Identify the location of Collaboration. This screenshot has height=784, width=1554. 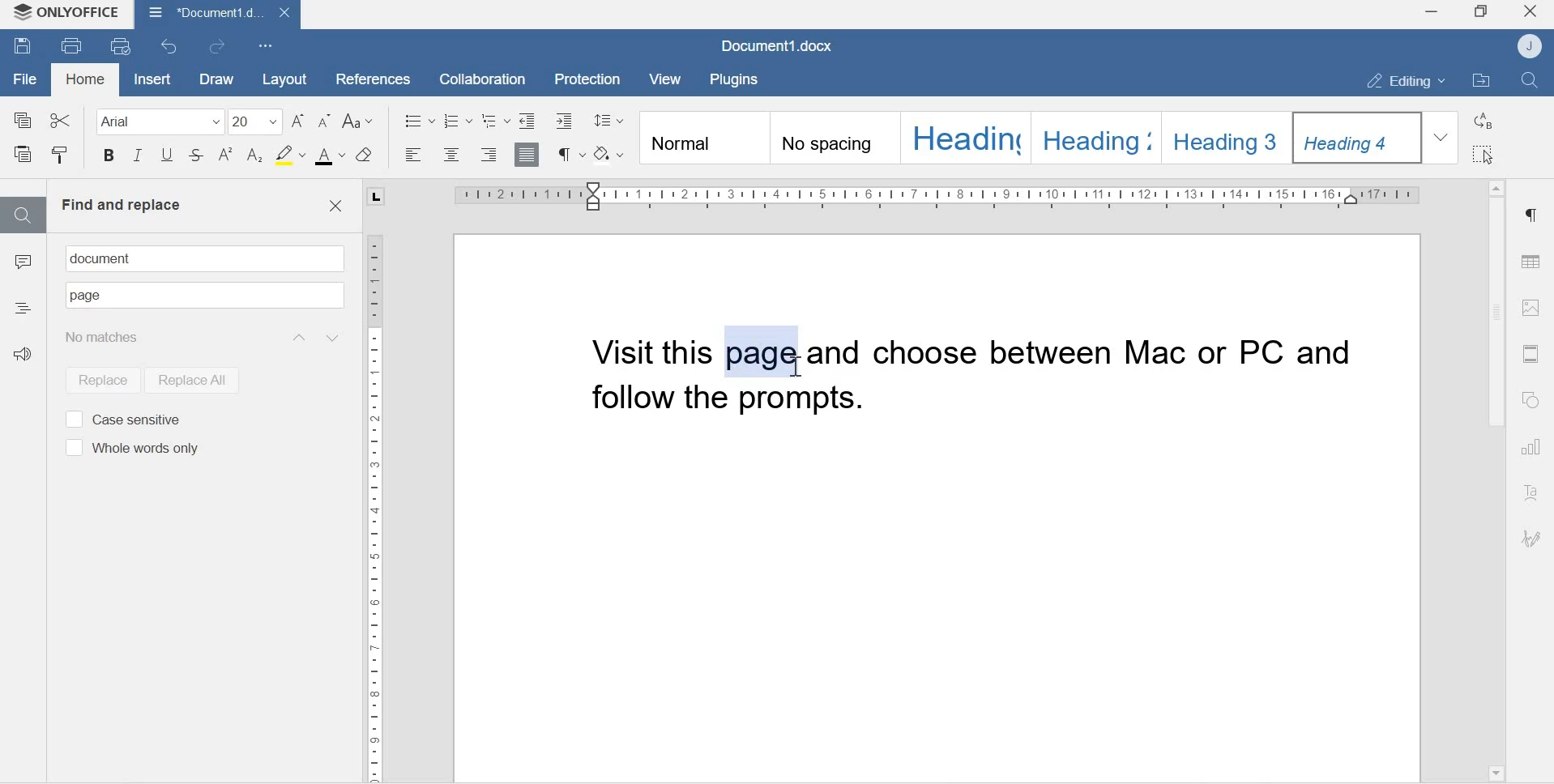
(476, 78).